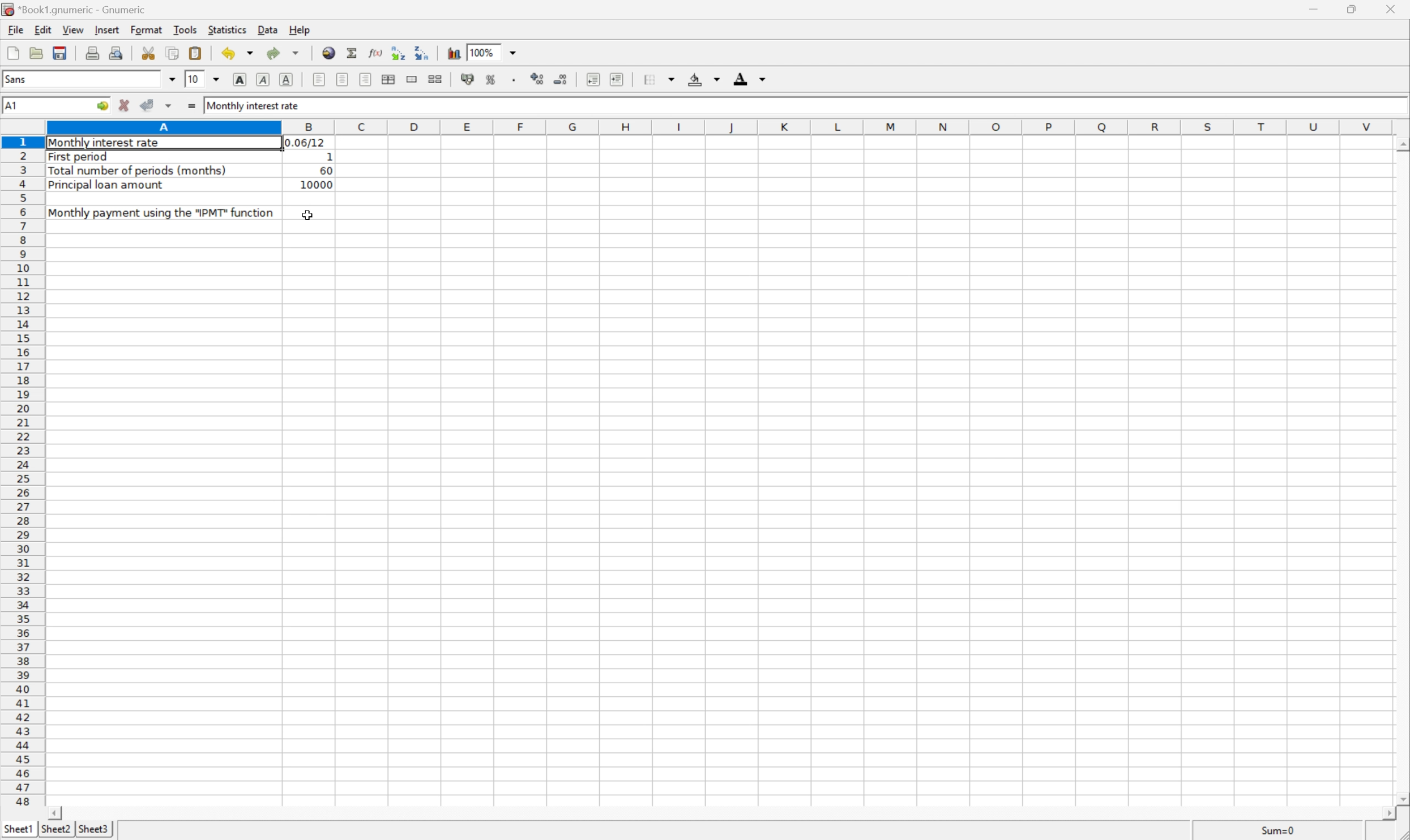 This screenshot has width=1410, height=840. What do you see at coordinates (413, 80) in the screenshot?
I see `Merge a range of cells` at bounding box center [413, 80].